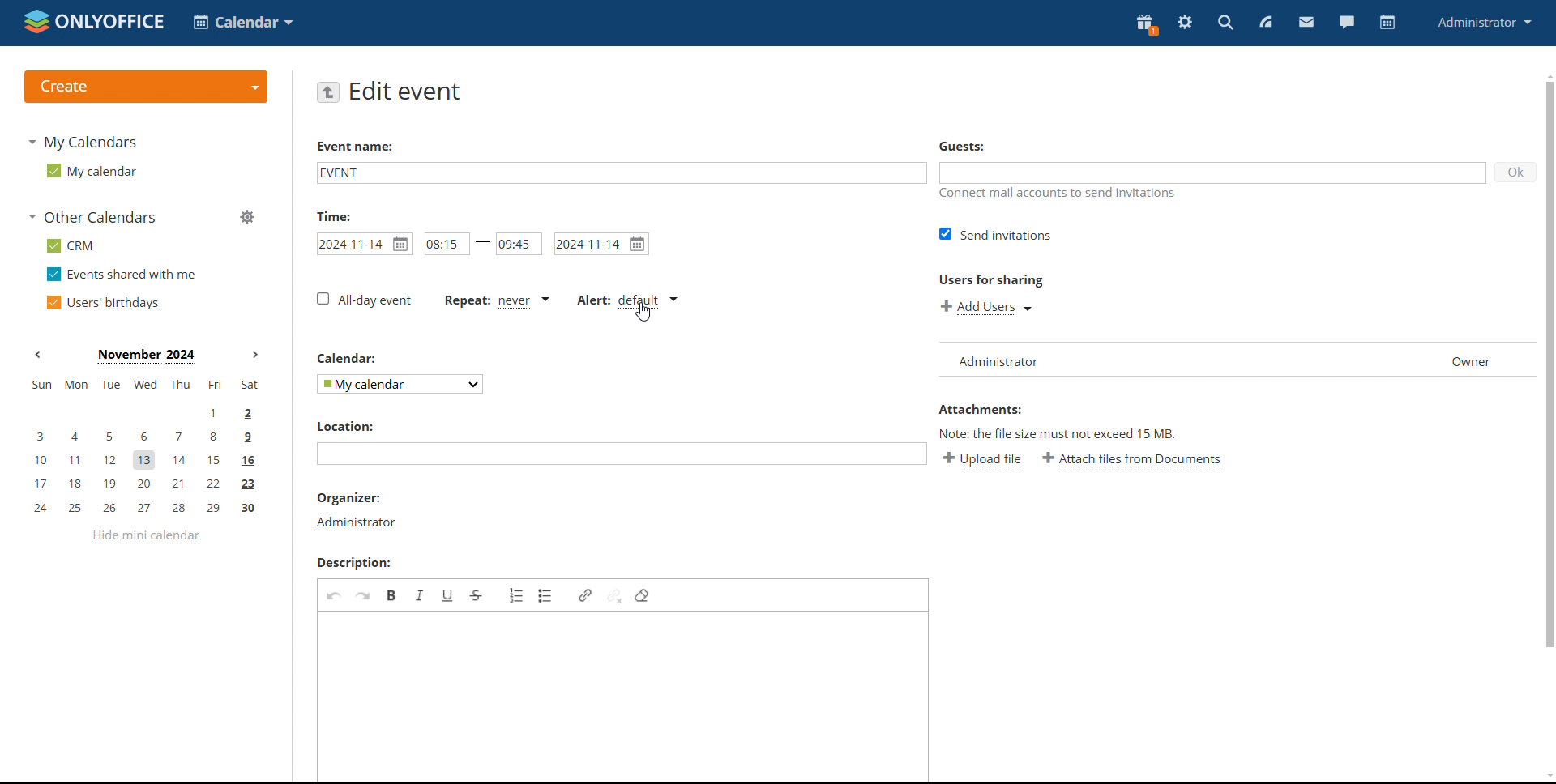  Describe the element at coordinates (85, 143) in the screenshot. I see `my calendars` at that location.